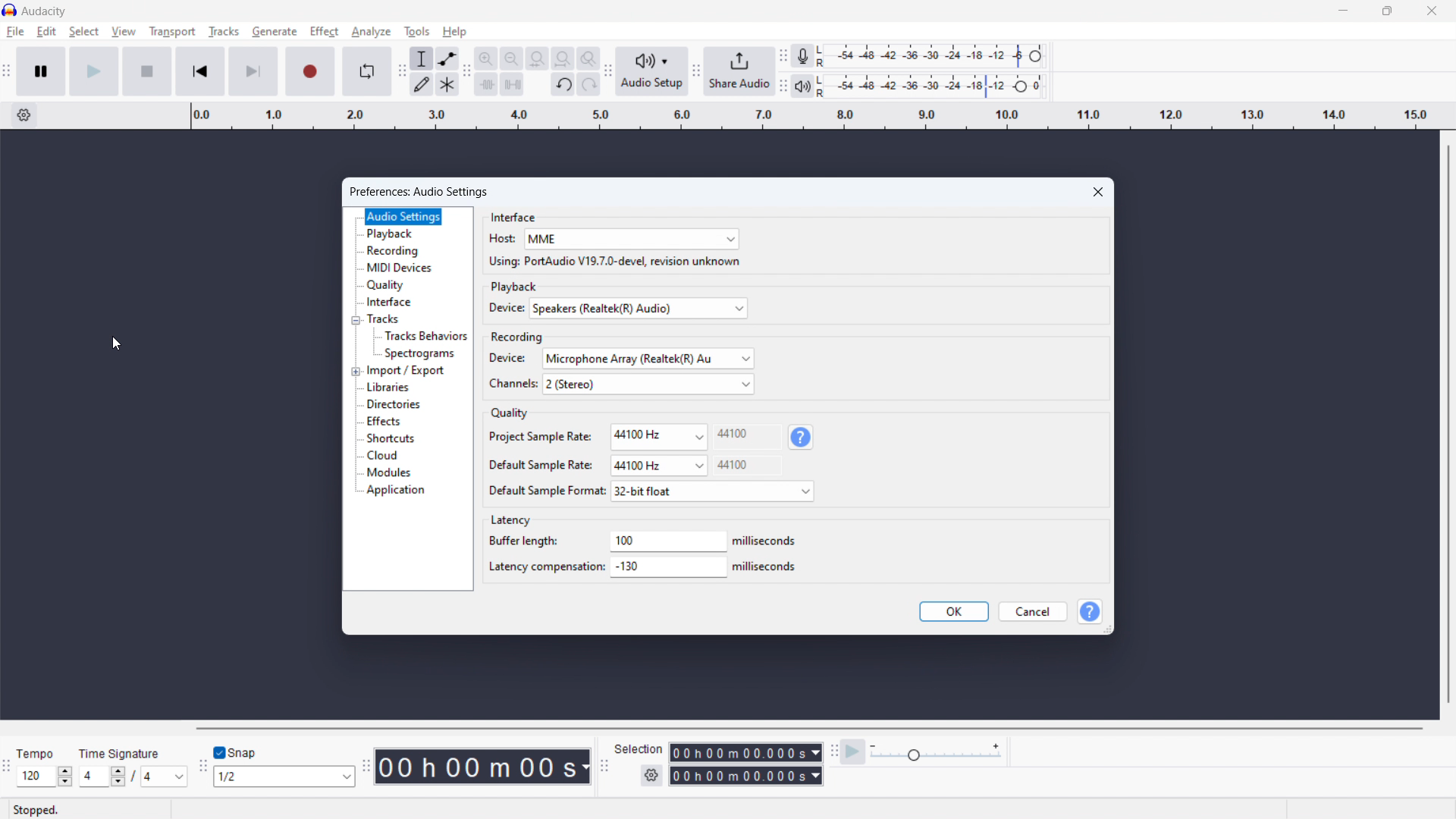  What do you see at coordinates (391, 302) in the screenshot?
I see `interface` at bounding box center [391, 302].